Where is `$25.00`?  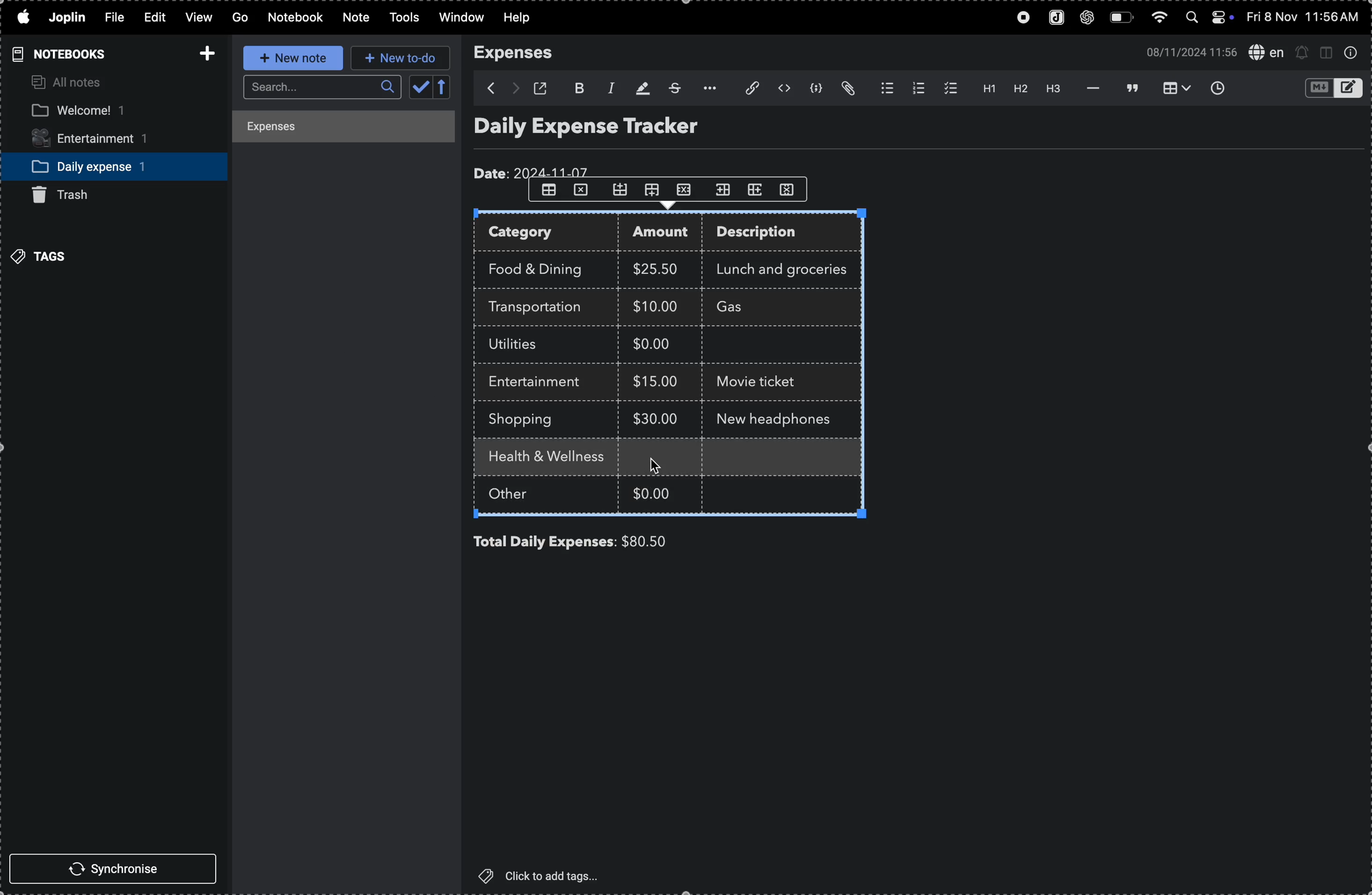
$25.00 is located at coordinates (659, 269).